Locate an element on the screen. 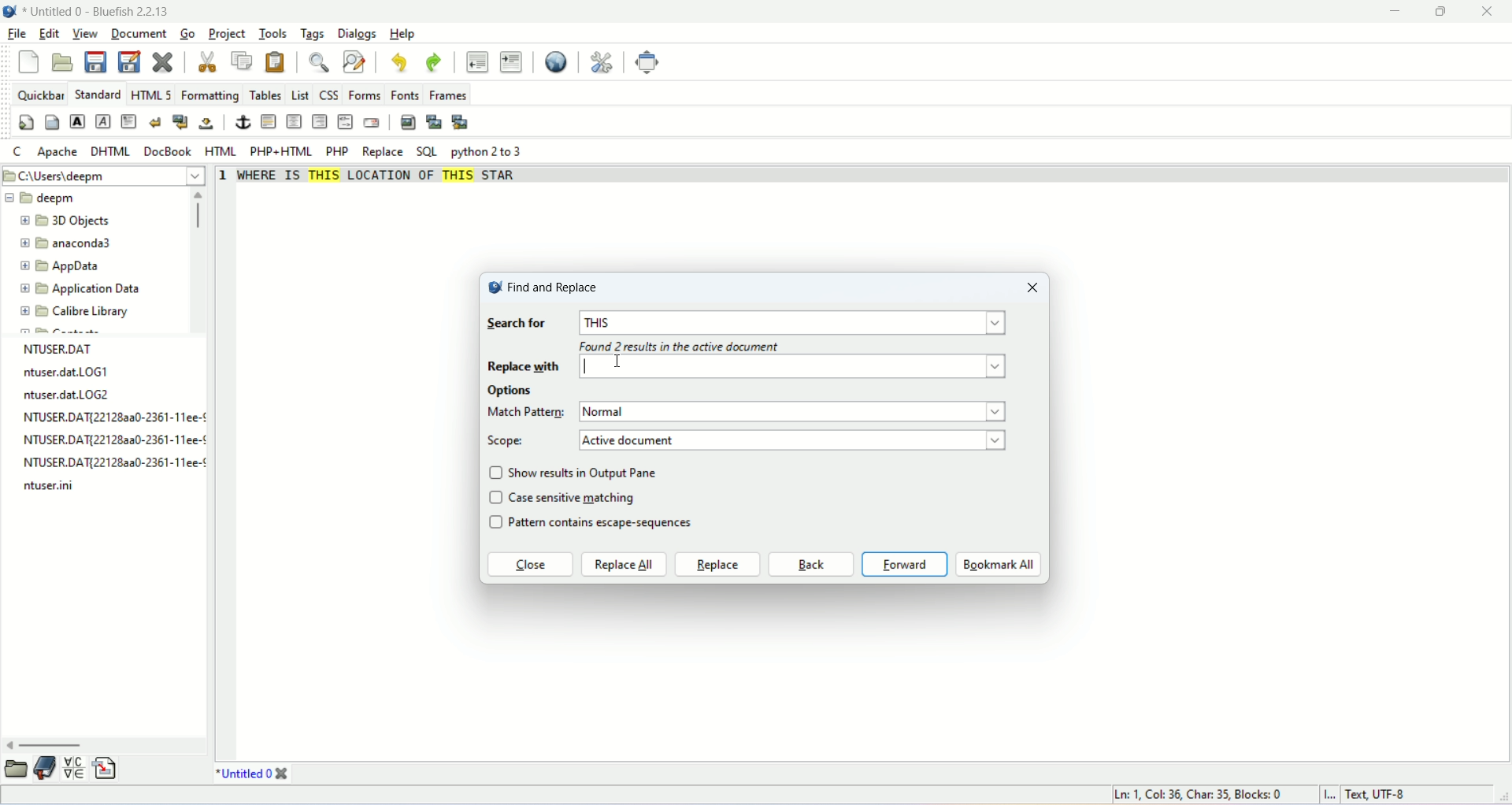 The image size is (1512, 805). cut is located at coordinates (209, 62).